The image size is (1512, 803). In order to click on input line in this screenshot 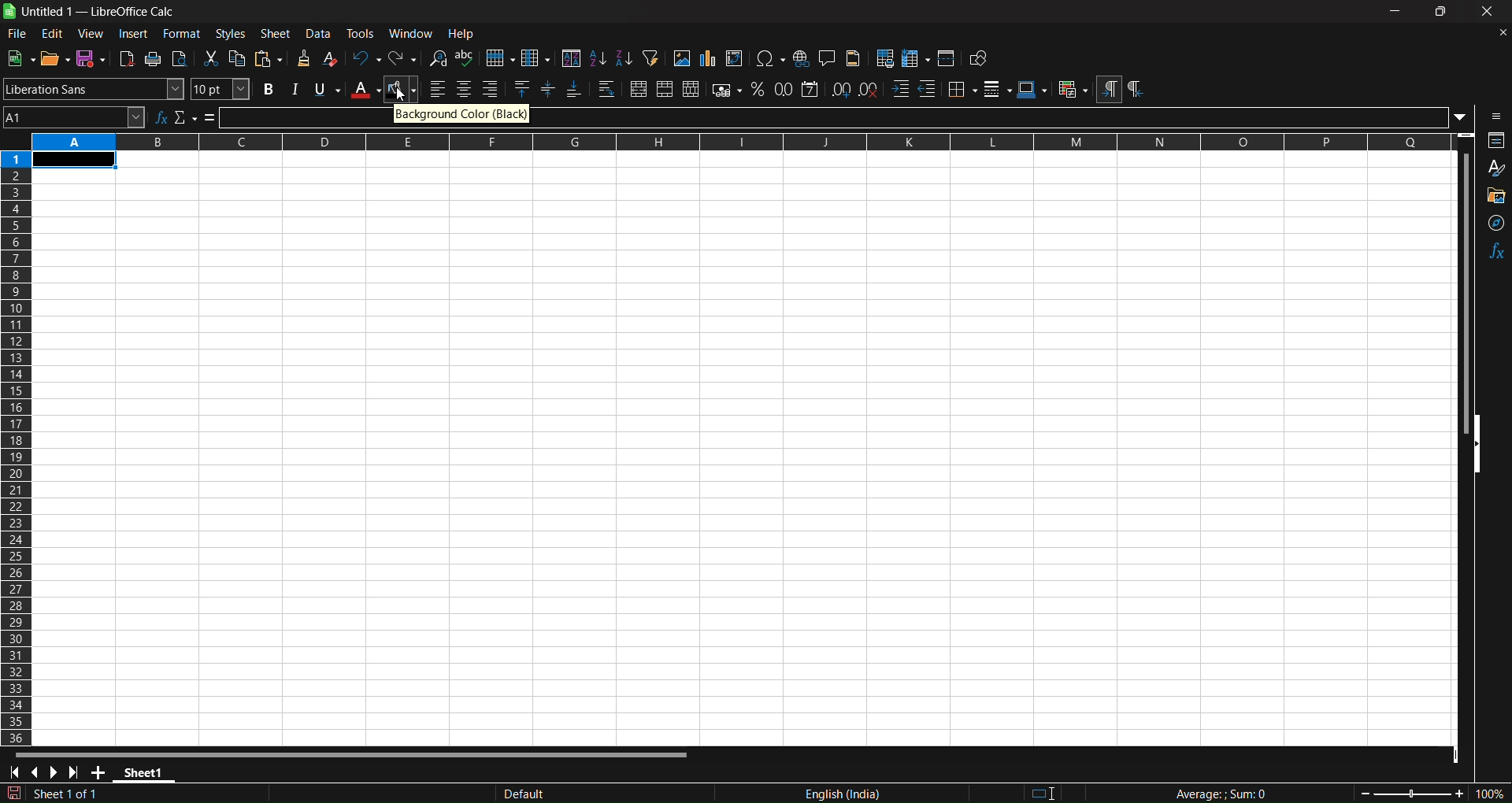, I will do `click(1005, 118)`.